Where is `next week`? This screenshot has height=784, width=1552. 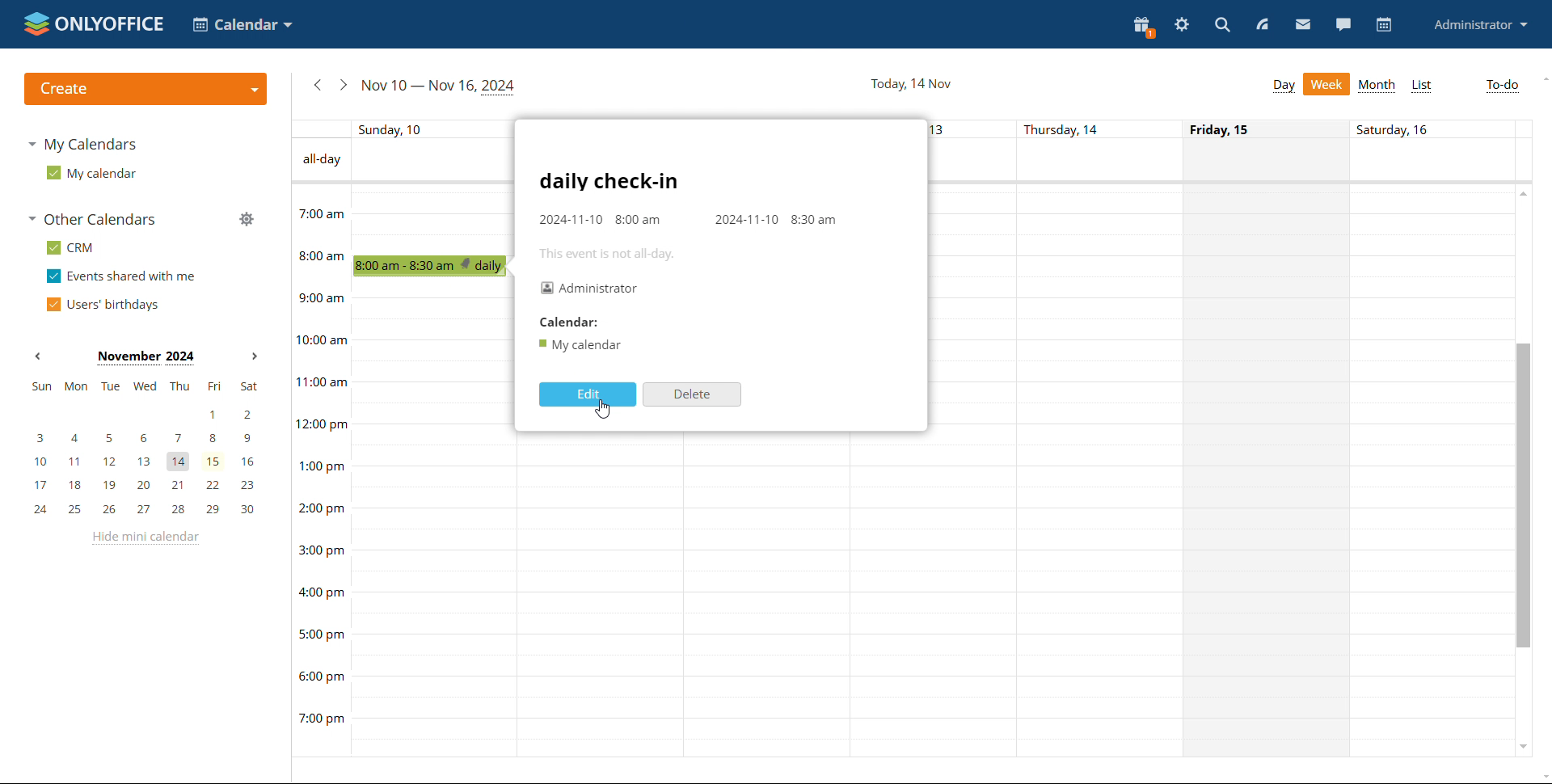 next week is located at coordinates (343, 85).